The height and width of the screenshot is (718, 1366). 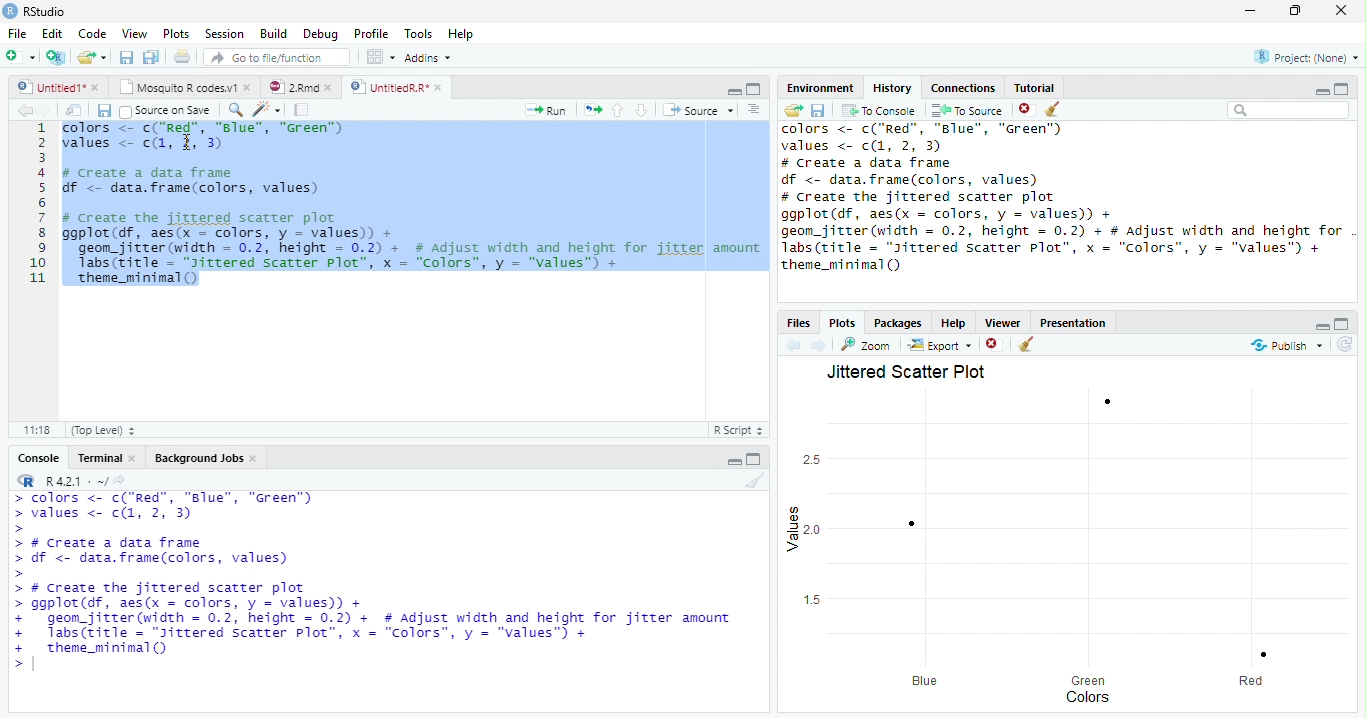 What do you see at coordinates (866, 345) in the screenshot?
I see `Zoom` at bounding box center [866, 345].